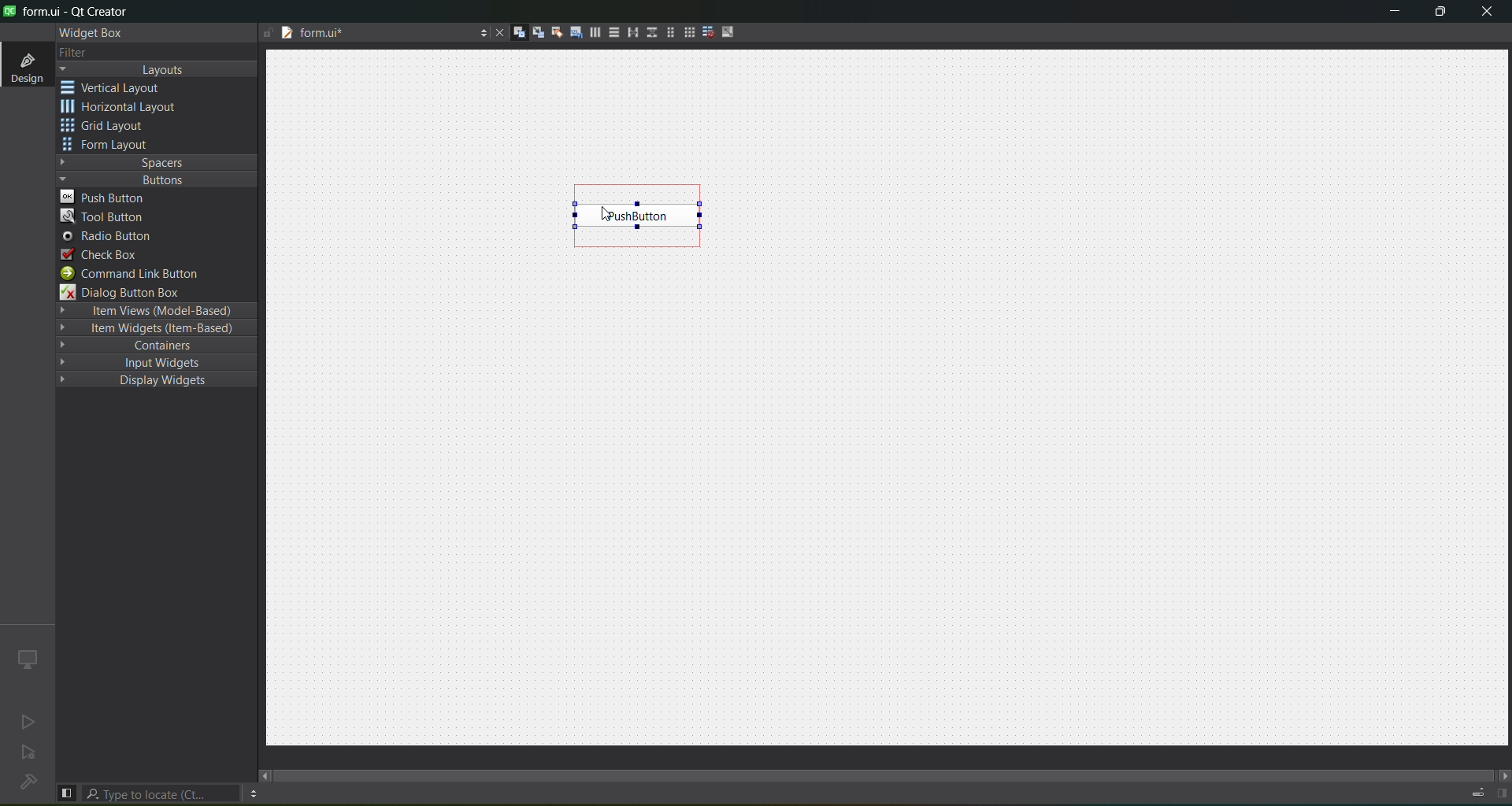  What do you see at coordinates (108, 146) in the screenshot?
I see `form layout` at bounding box center [108, 146].